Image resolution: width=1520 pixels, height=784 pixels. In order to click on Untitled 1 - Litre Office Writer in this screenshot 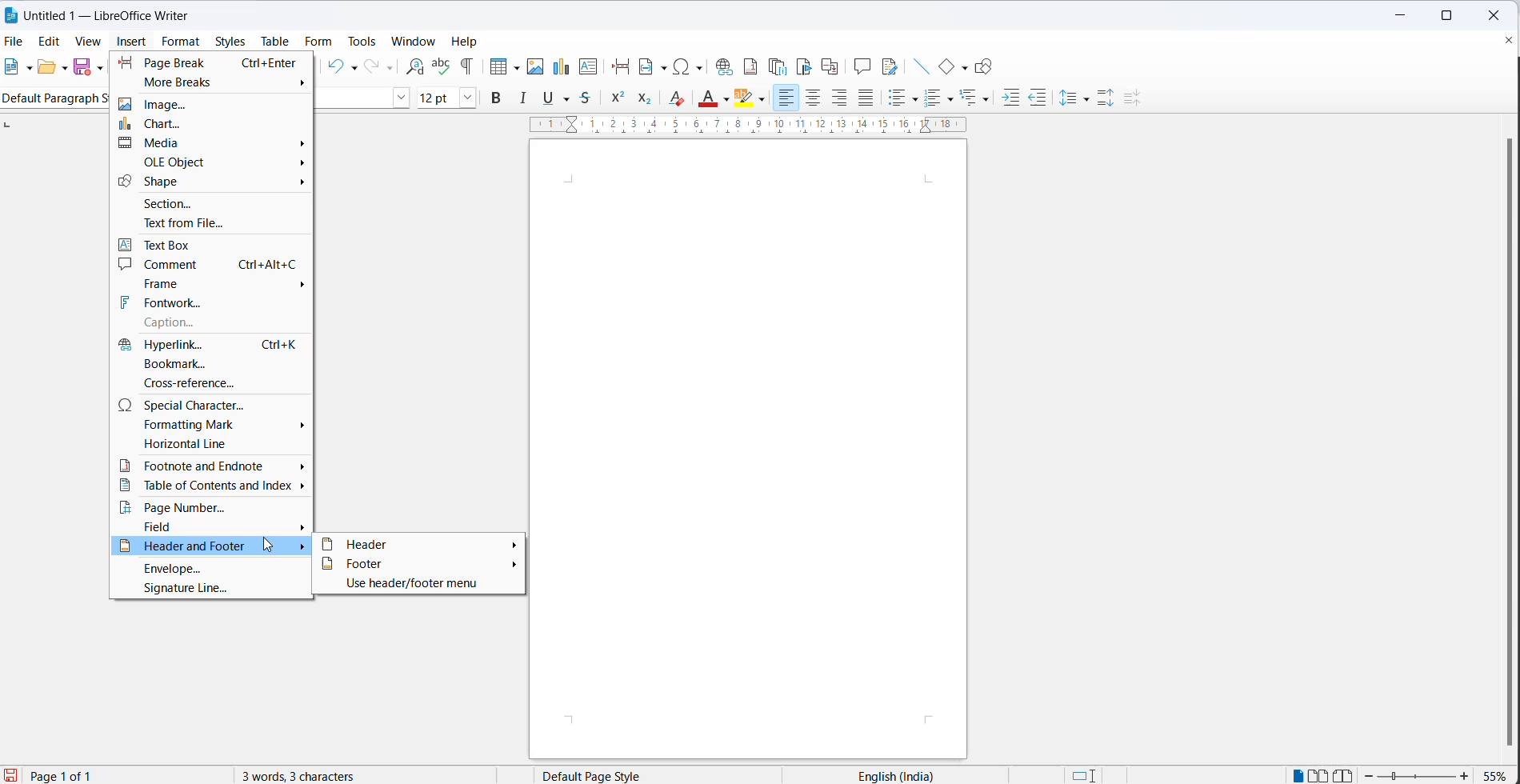, I will do `click(106, 14)`.